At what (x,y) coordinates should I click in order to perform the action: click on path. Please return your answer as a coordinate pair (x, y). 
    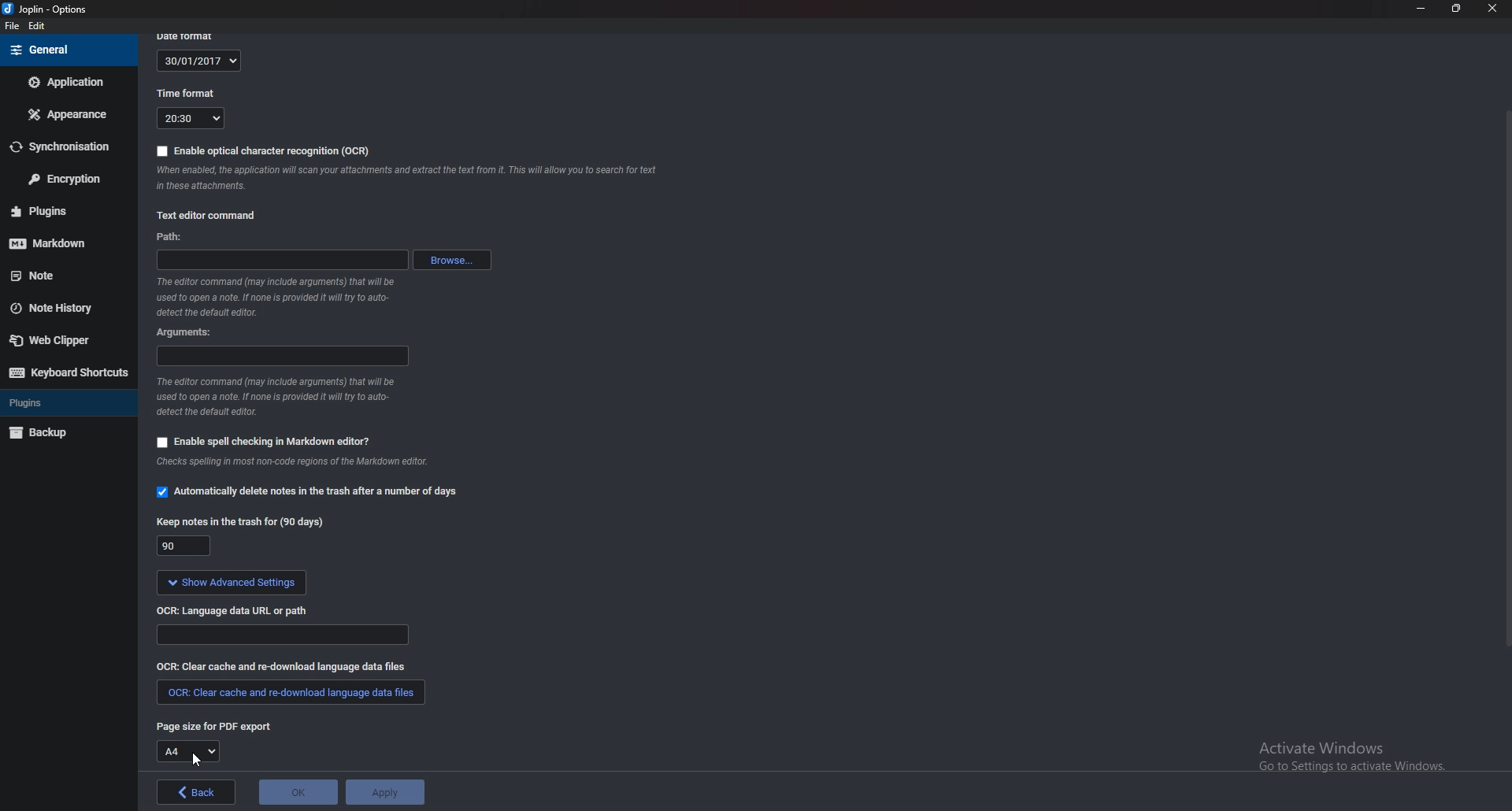
    Looking at the image, I should click on (176, 238).